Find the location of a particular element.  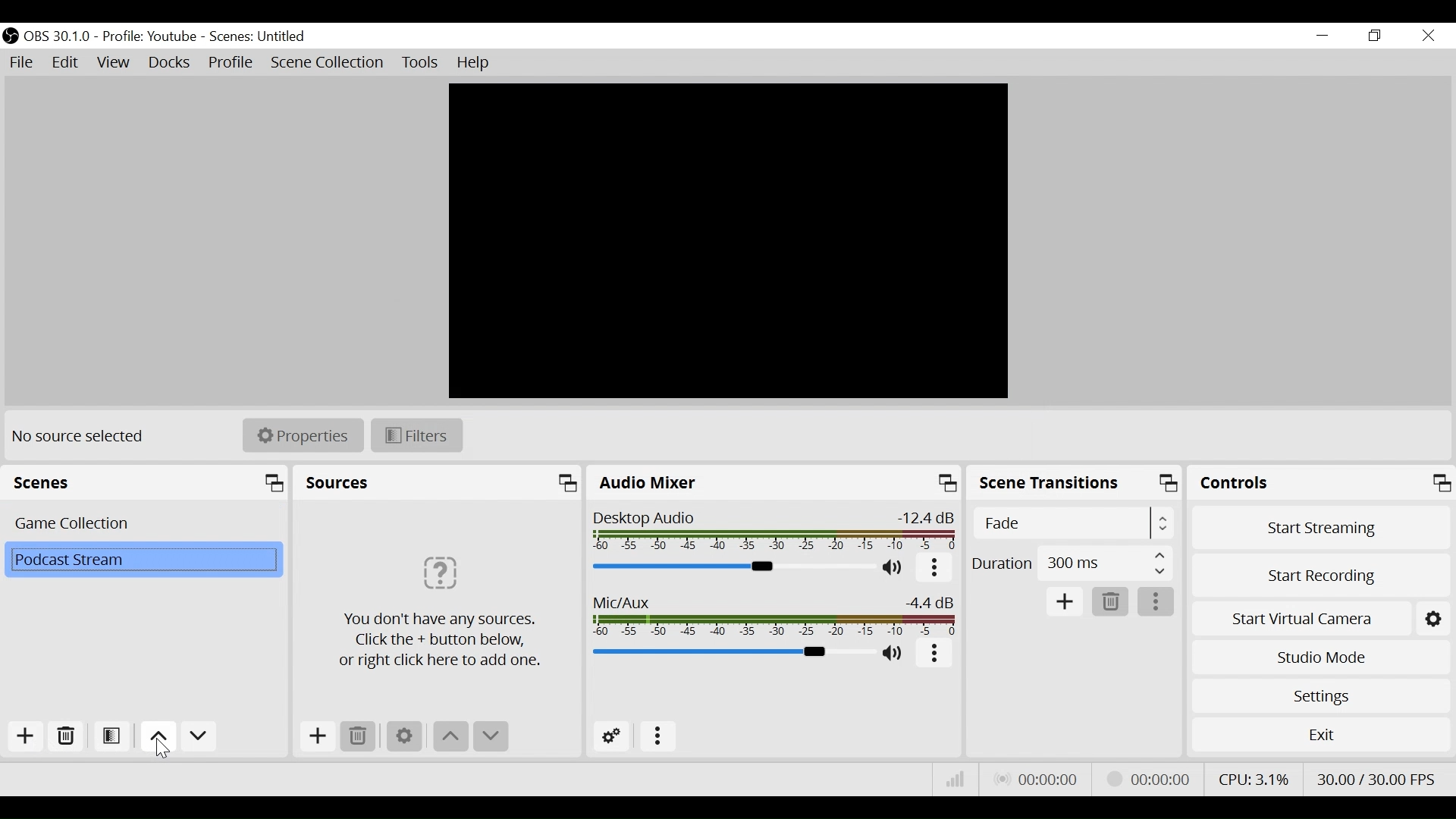

(un)select Scene Transition is located at coordinates (1071, 523).